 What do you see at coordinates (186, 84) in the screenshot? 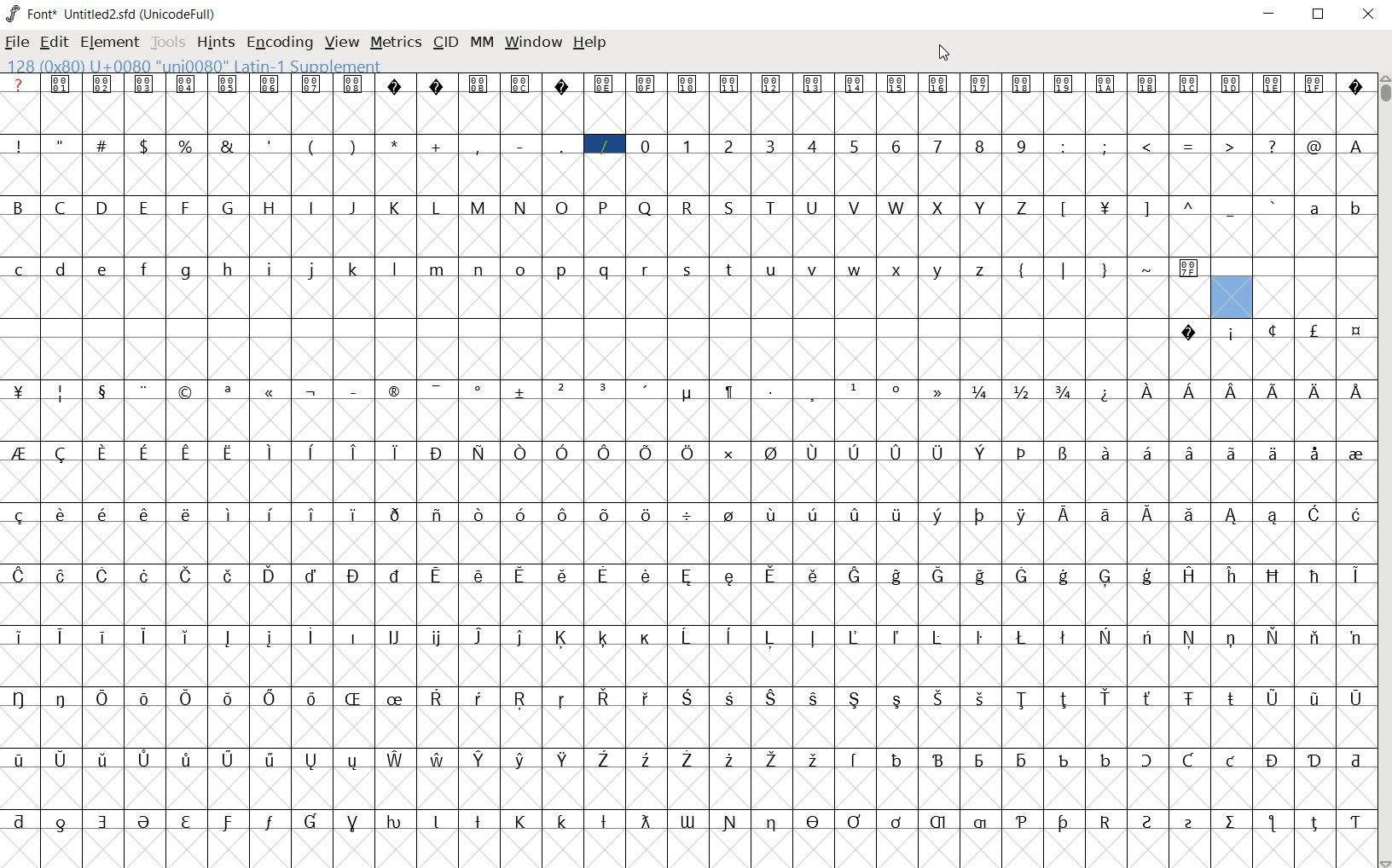
I see `glyph` at bounding box center [186, 84].